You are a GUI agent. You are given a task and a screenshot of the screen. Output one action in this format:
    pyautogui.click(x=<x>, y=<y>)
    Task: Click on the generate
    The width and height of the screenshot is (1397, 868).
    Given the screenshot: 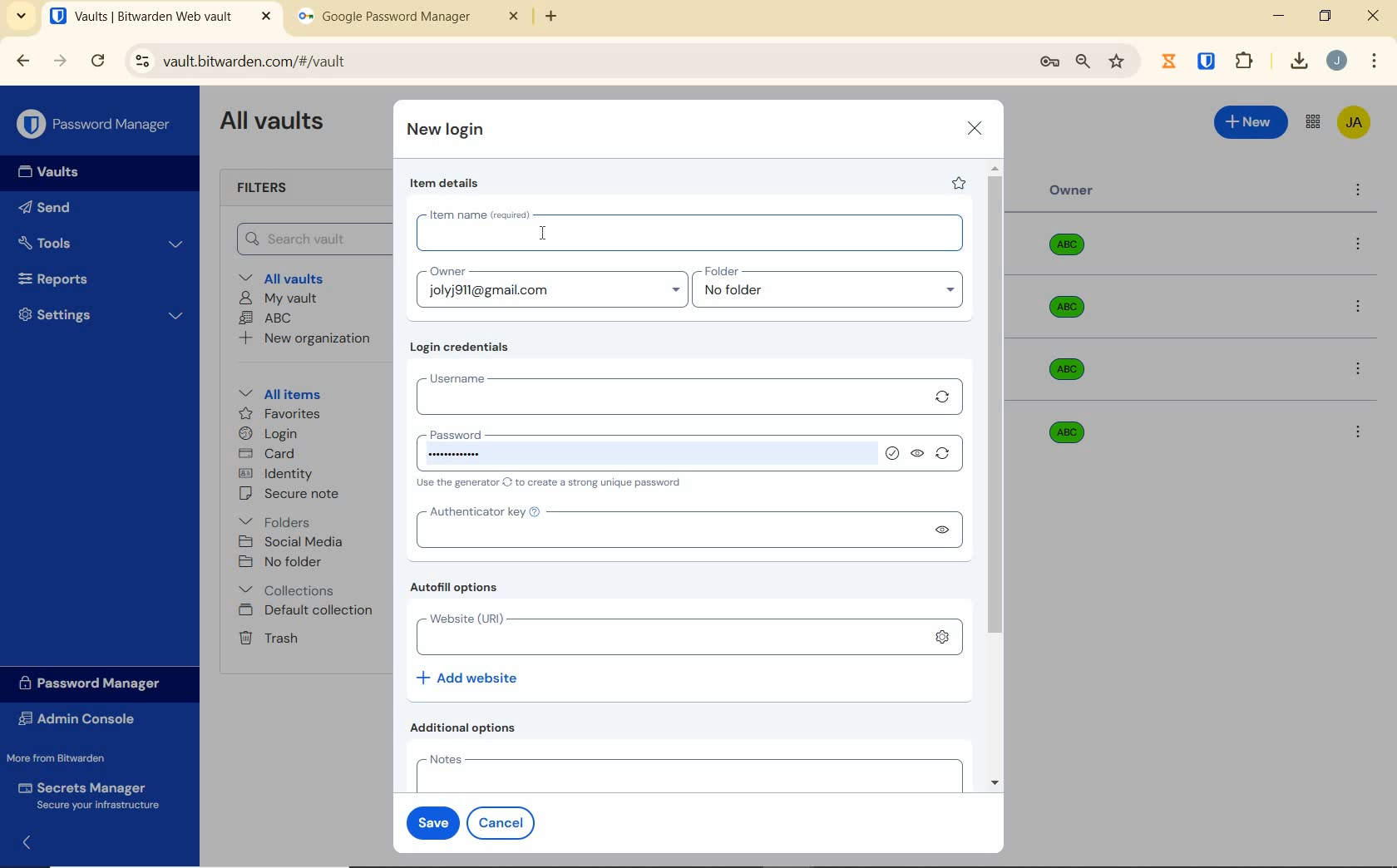 What is the action you would take?
    pyautogui.click(x=946, y=456)
    